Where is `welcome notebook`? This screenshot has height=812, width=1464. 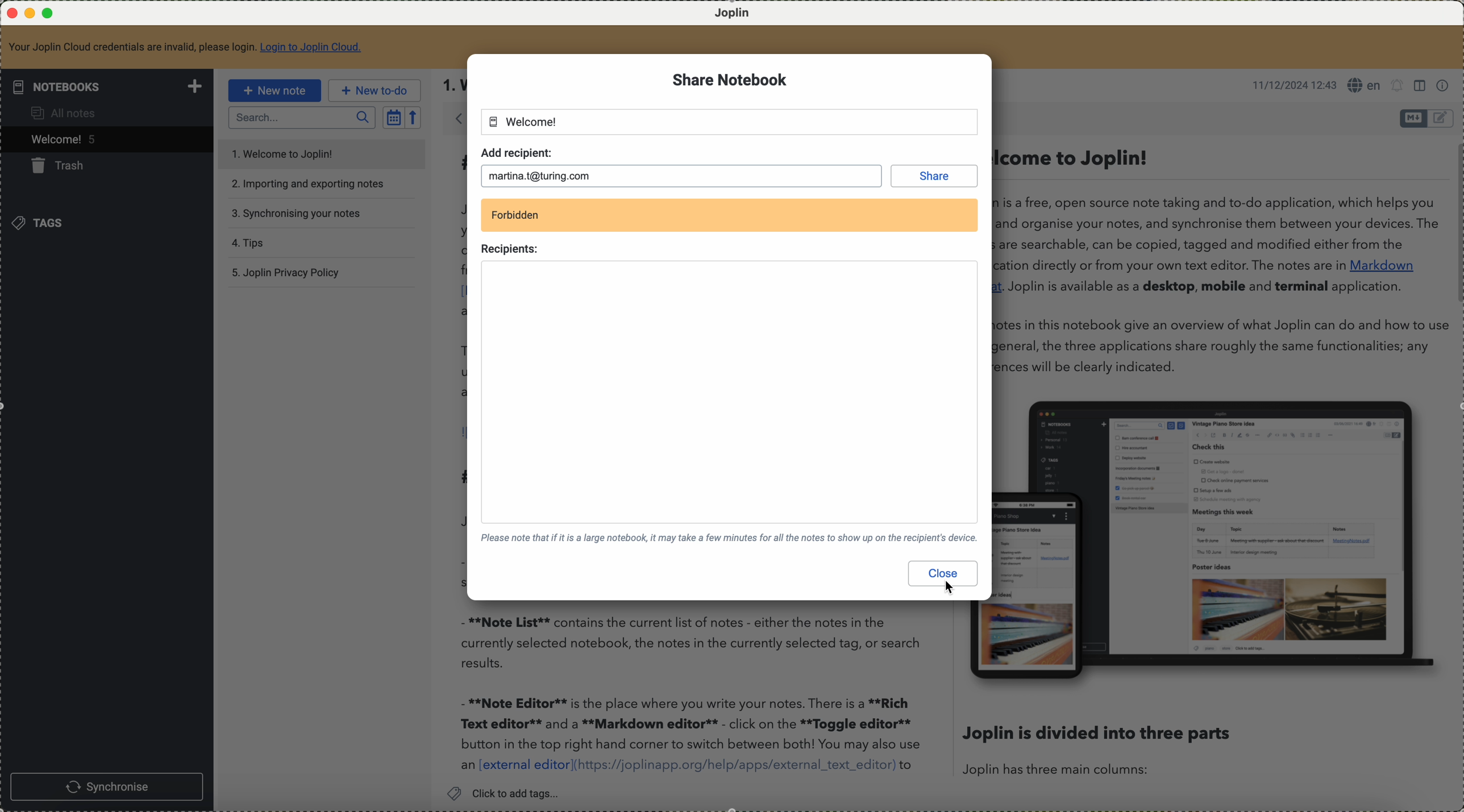
welcome notebook is located at coordinates (523, 122).